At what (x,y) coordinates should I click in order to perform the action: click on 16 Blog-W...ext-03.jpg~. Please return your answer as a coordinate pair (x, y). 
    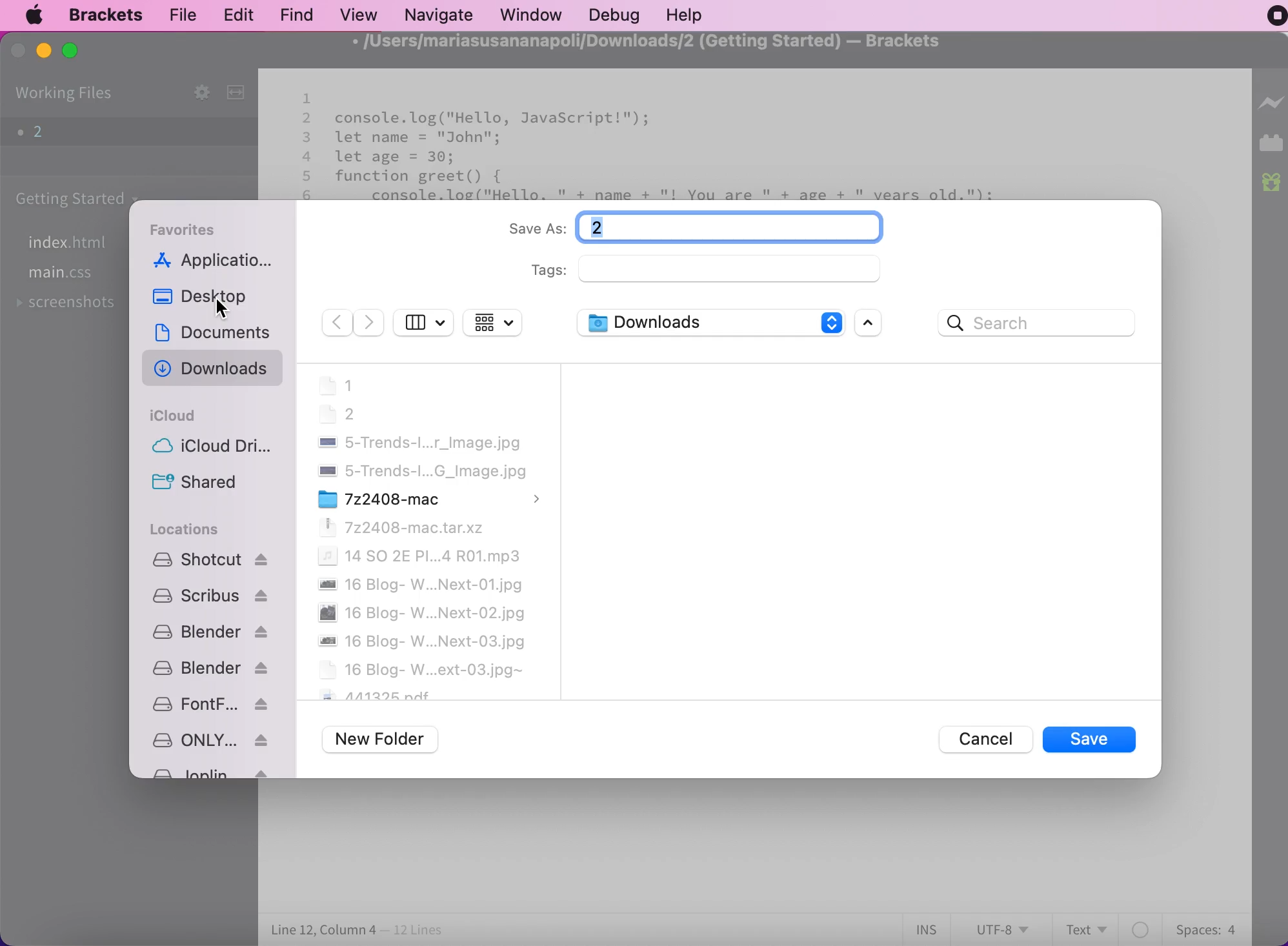
    Looking at the image, I should click on (421, 669).